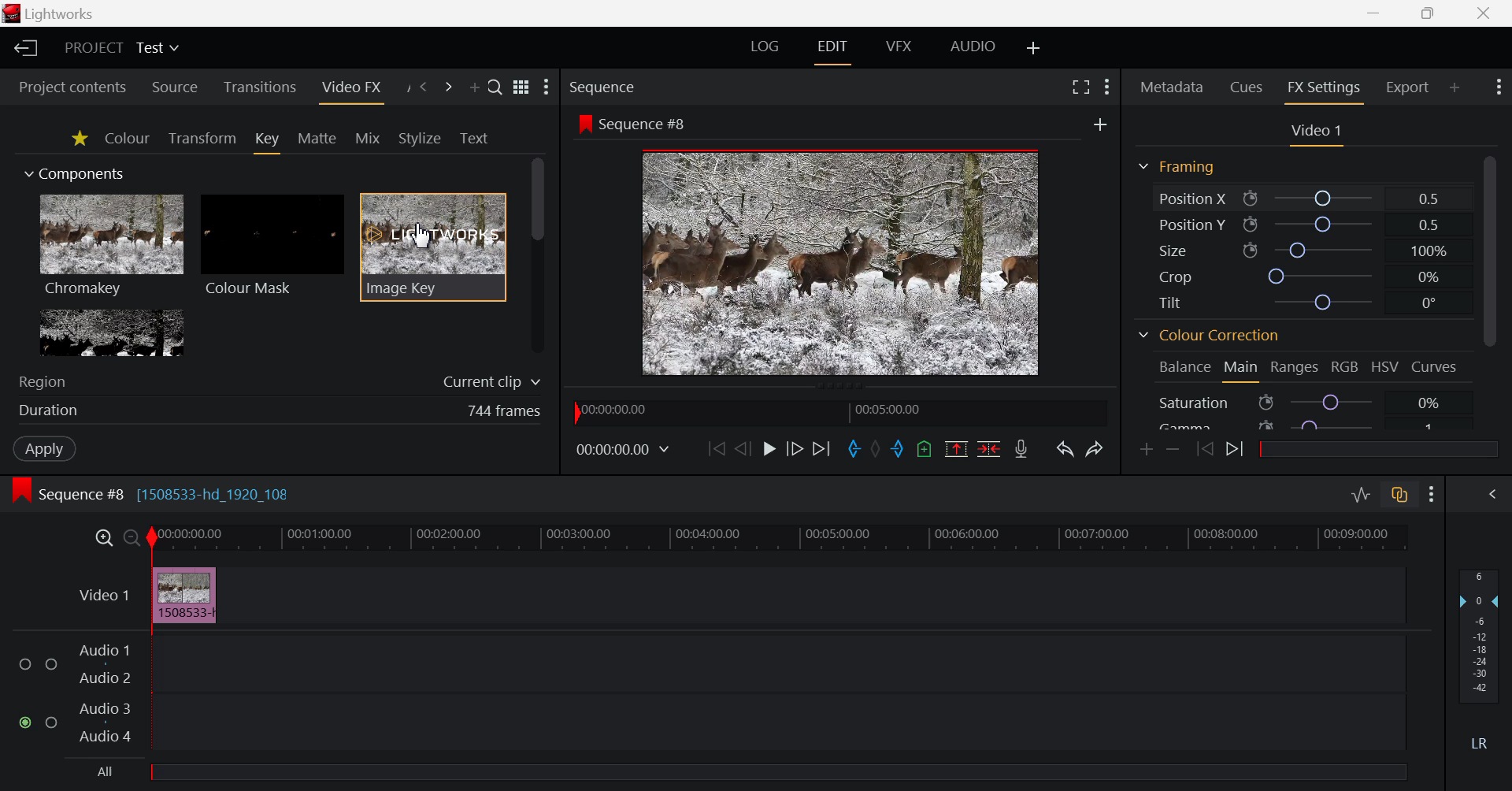  What do you see at coordinates (174, 84) in the screenshot?
I see `Source` at bounding box center [174, 84].